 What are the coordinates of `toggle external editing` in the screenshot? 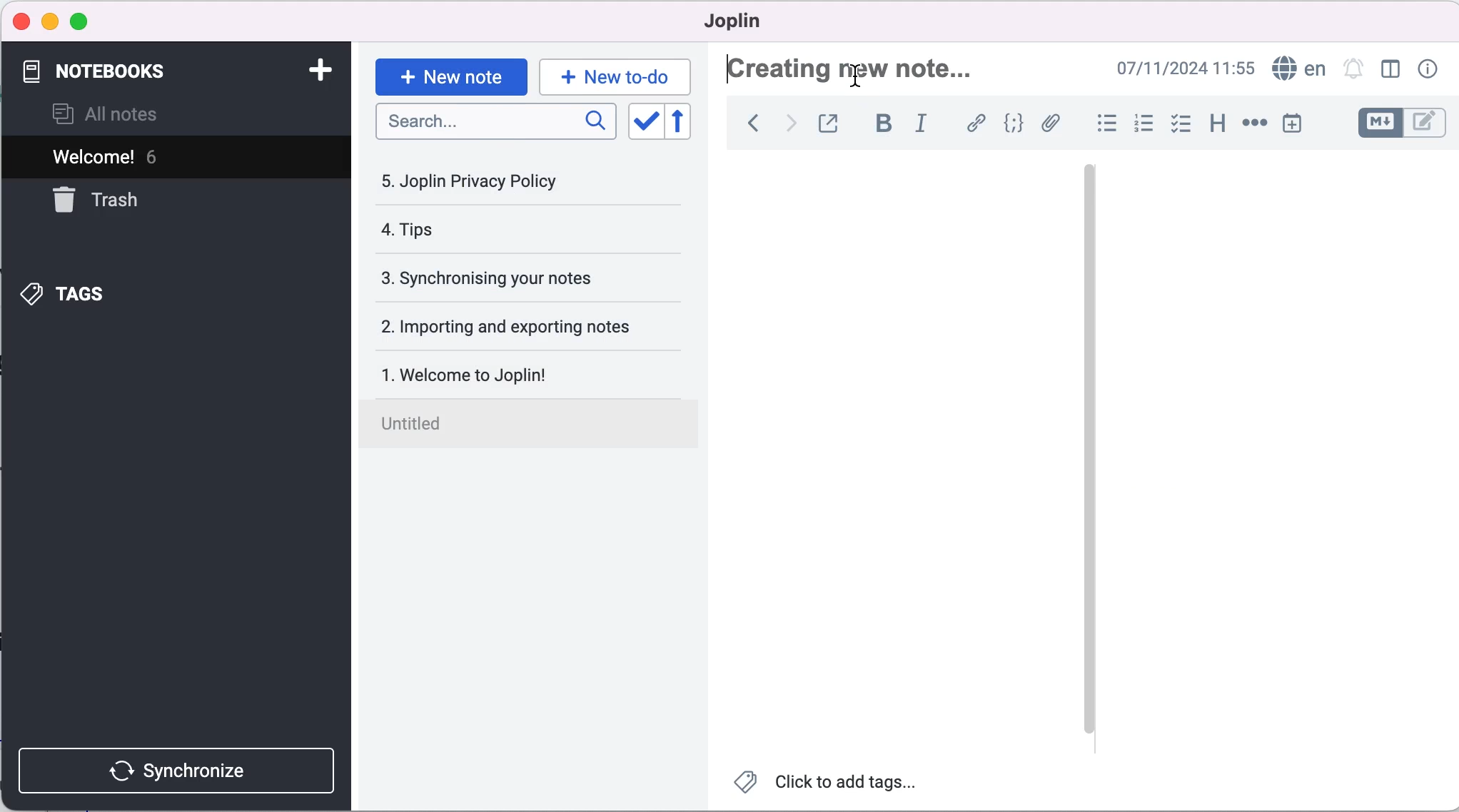 It's located at (828, 125).